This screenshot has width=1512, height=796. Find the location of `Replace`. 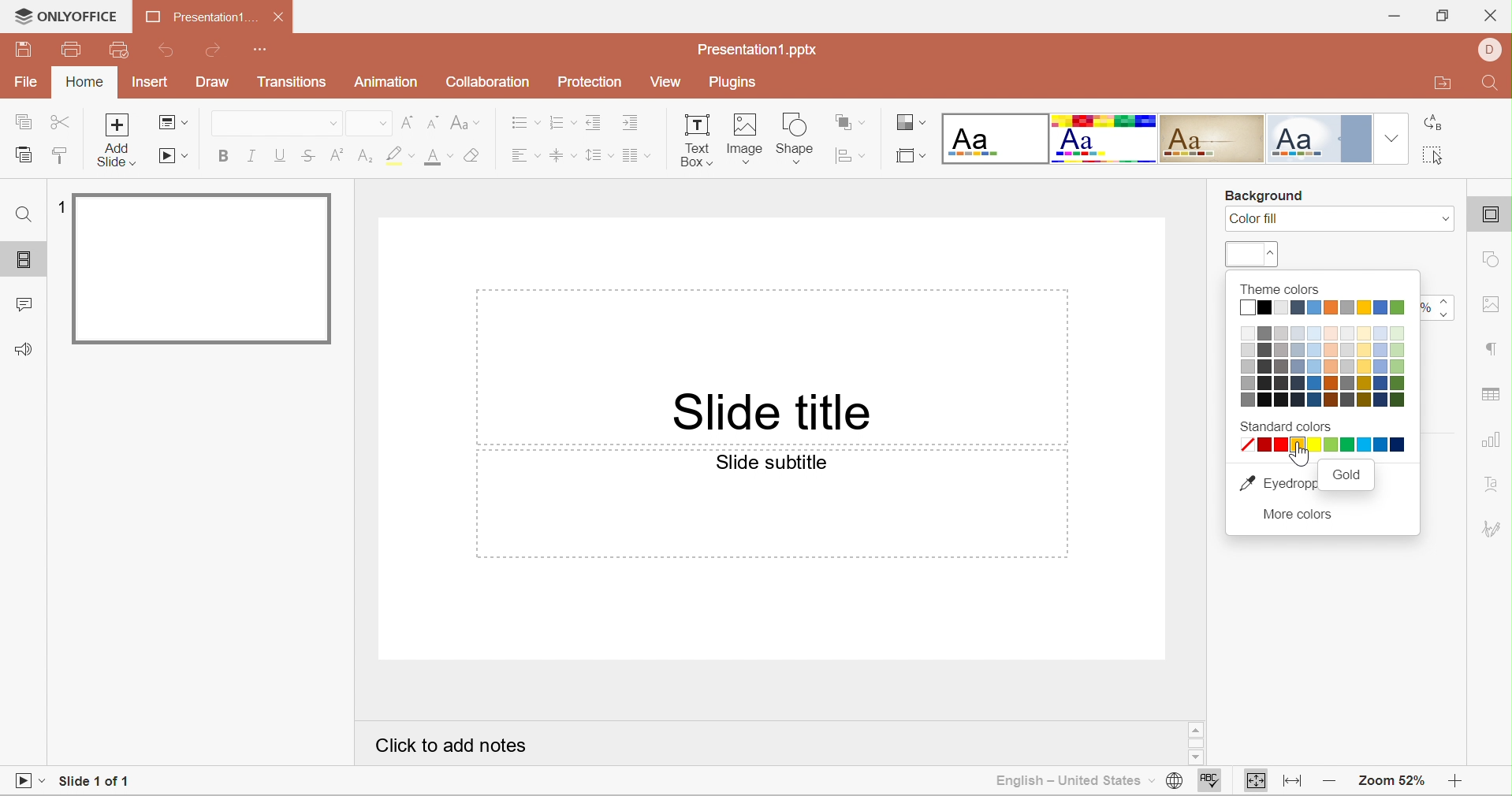

Replace is located at coordinates (1434, 125).